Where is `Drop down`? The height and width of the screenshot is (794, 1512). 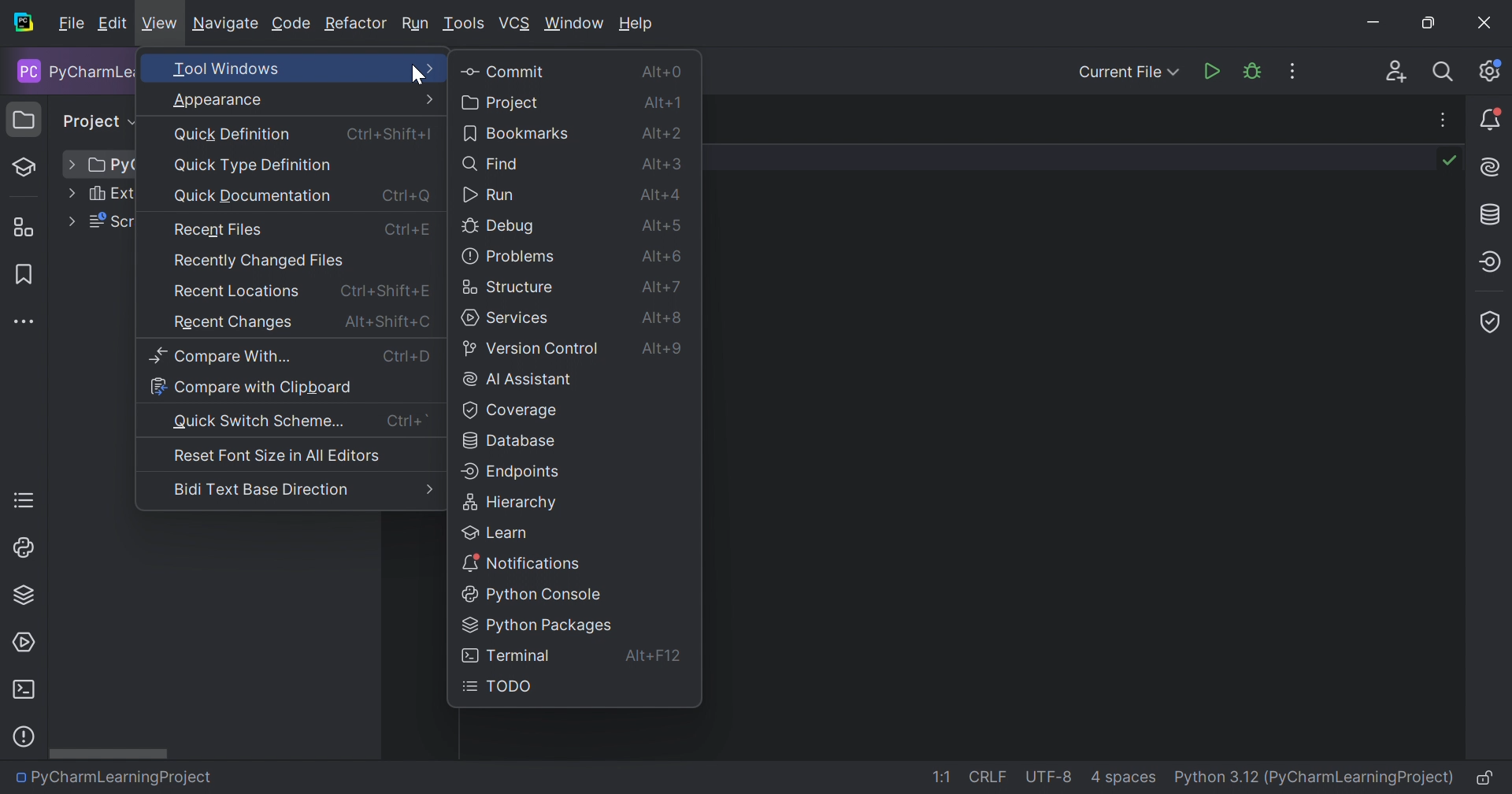 Drop down is located at coordinates (71, 164).